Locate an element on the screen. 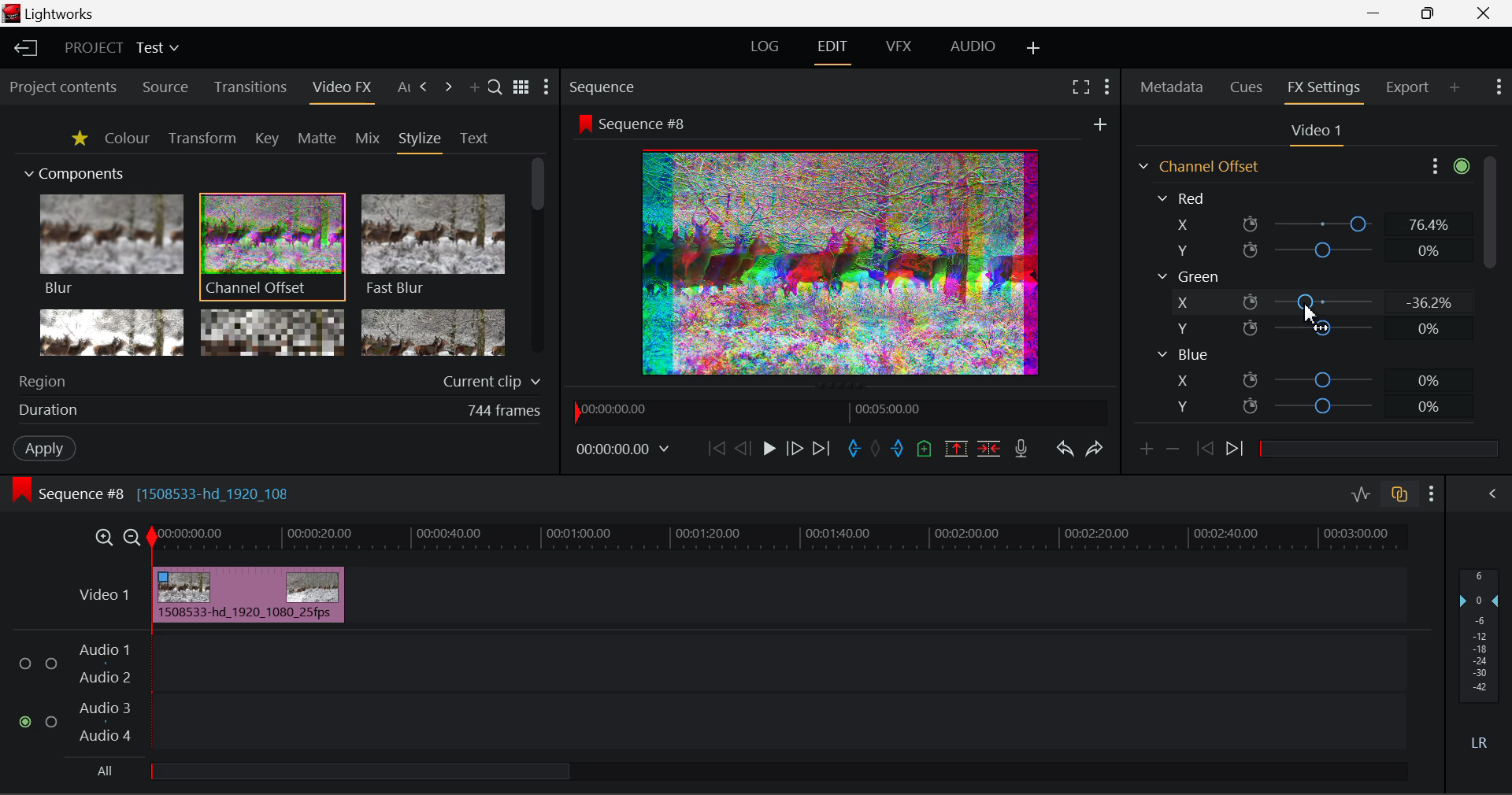  Colour is located at coordinates (126, 138).